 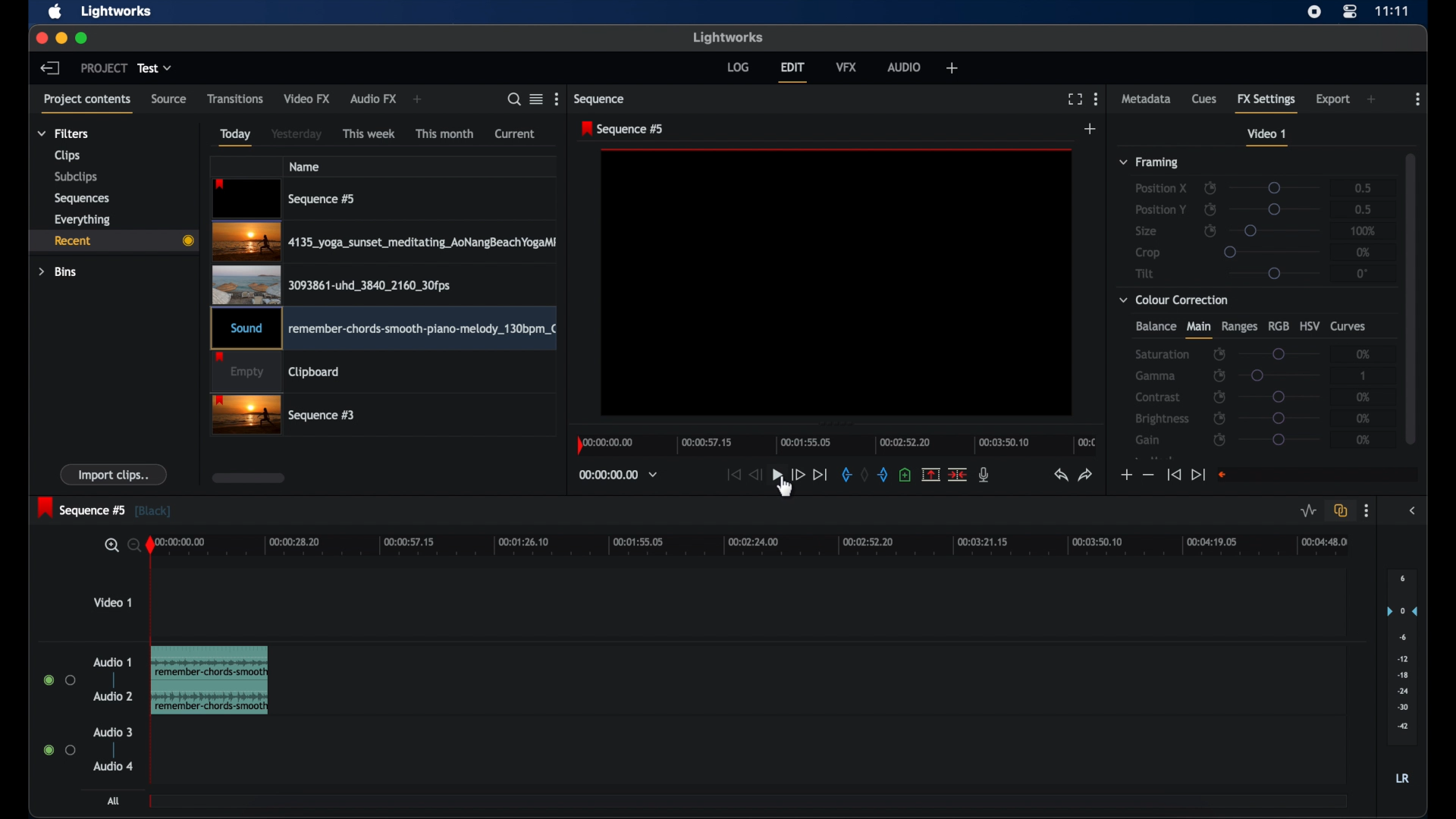 I want to click on toggle list or tile view, so click(x=536, y=99).